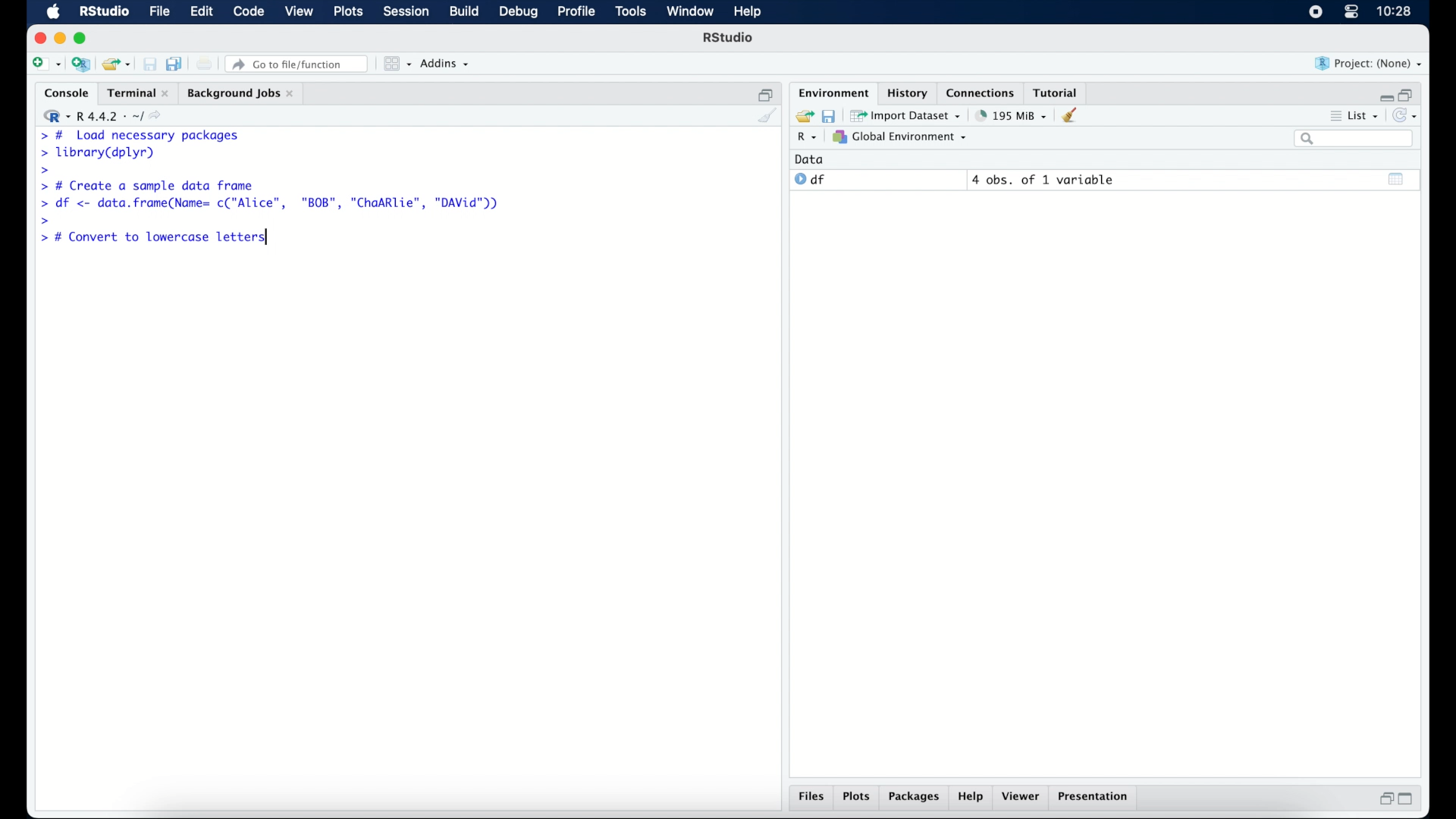 The image size is (1456, 819). What do you see at coordinates (176, 63) in the screenshot?
I see `save all documents ` at bounding box center [176, 63].